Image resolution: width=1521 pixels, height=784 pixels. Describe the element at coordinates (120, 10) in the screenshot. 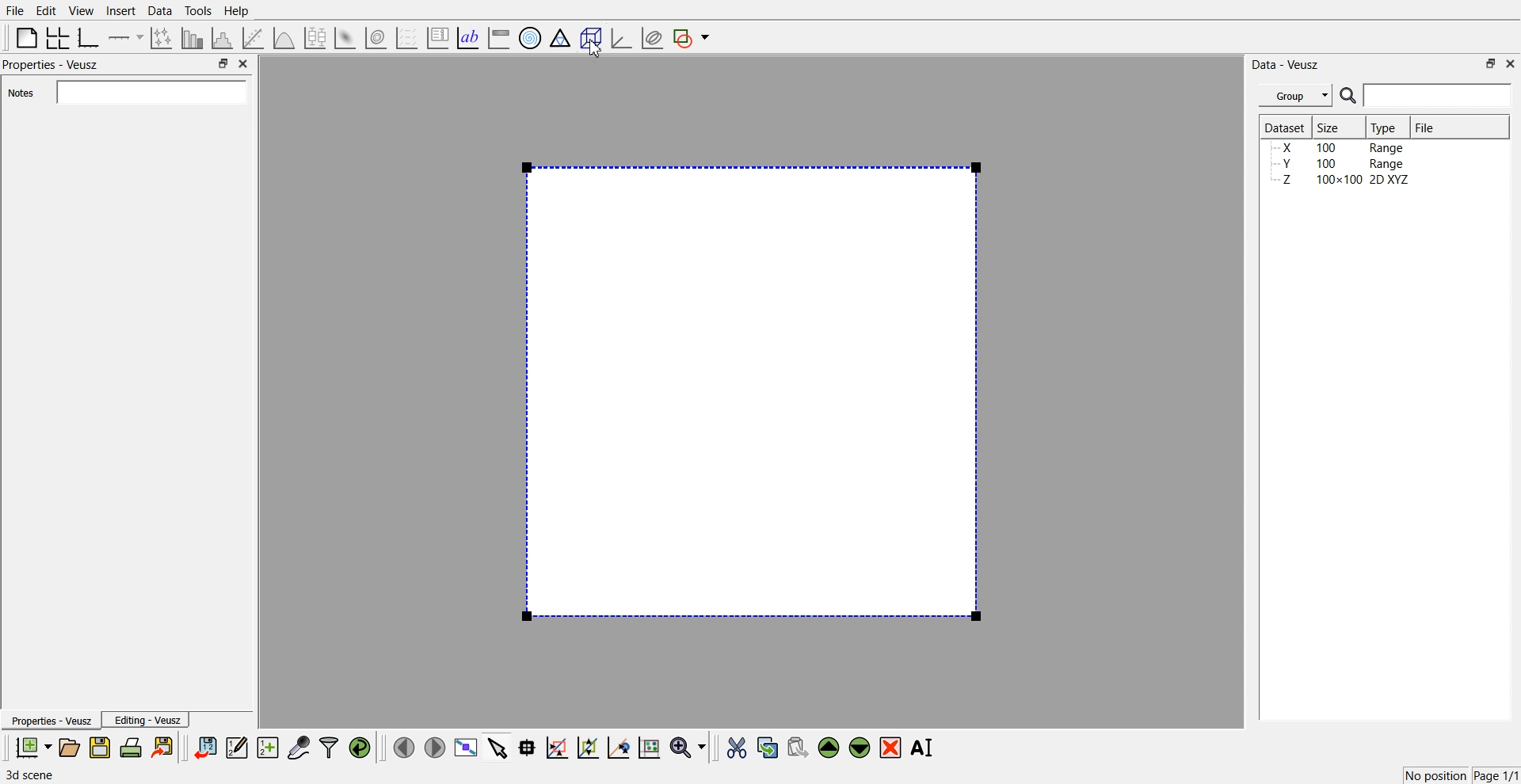

I see `Insert` at that location.